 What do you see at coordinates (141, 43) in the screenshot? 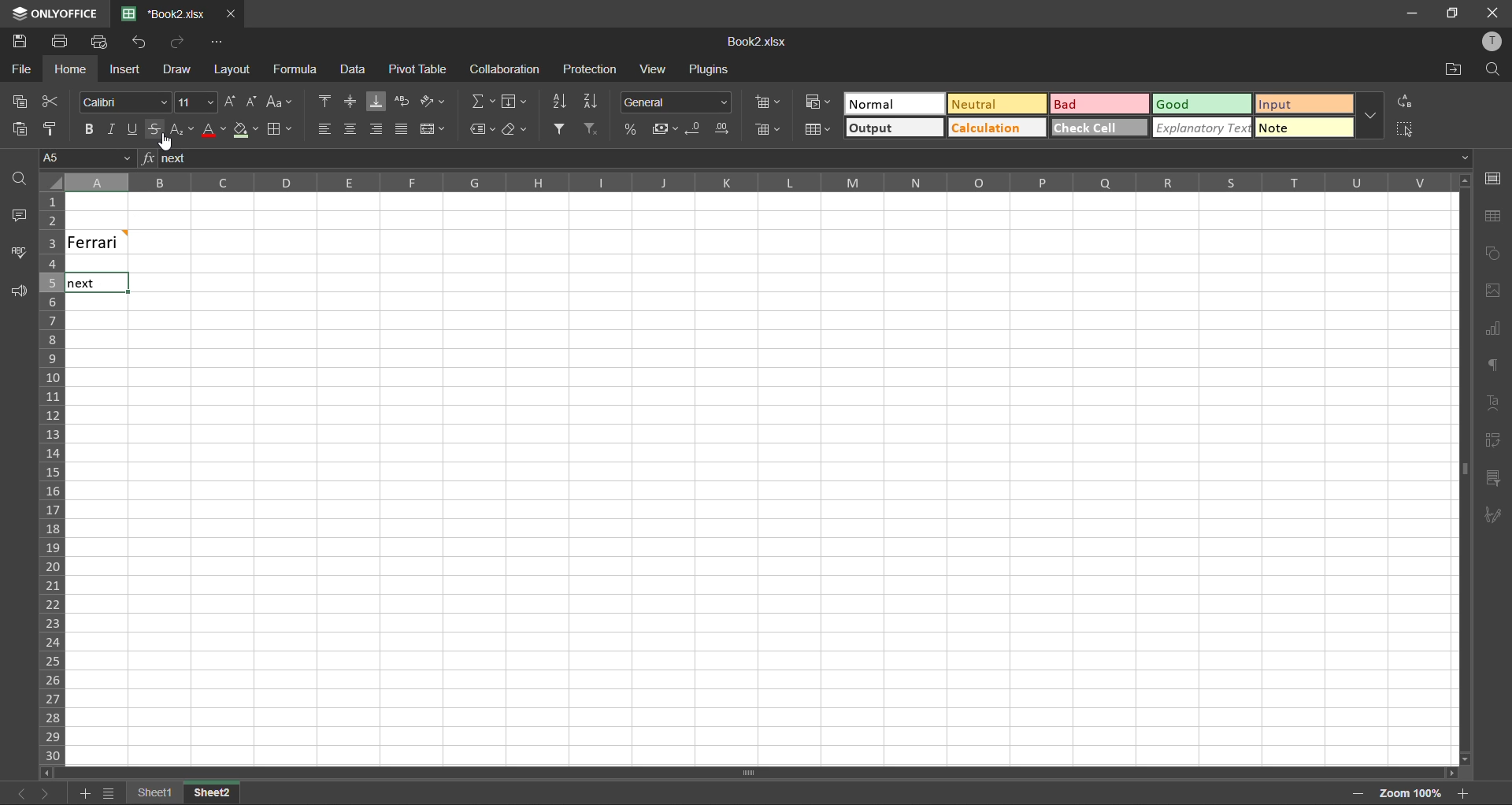
I see `undo` at bounding box center [141, 43].